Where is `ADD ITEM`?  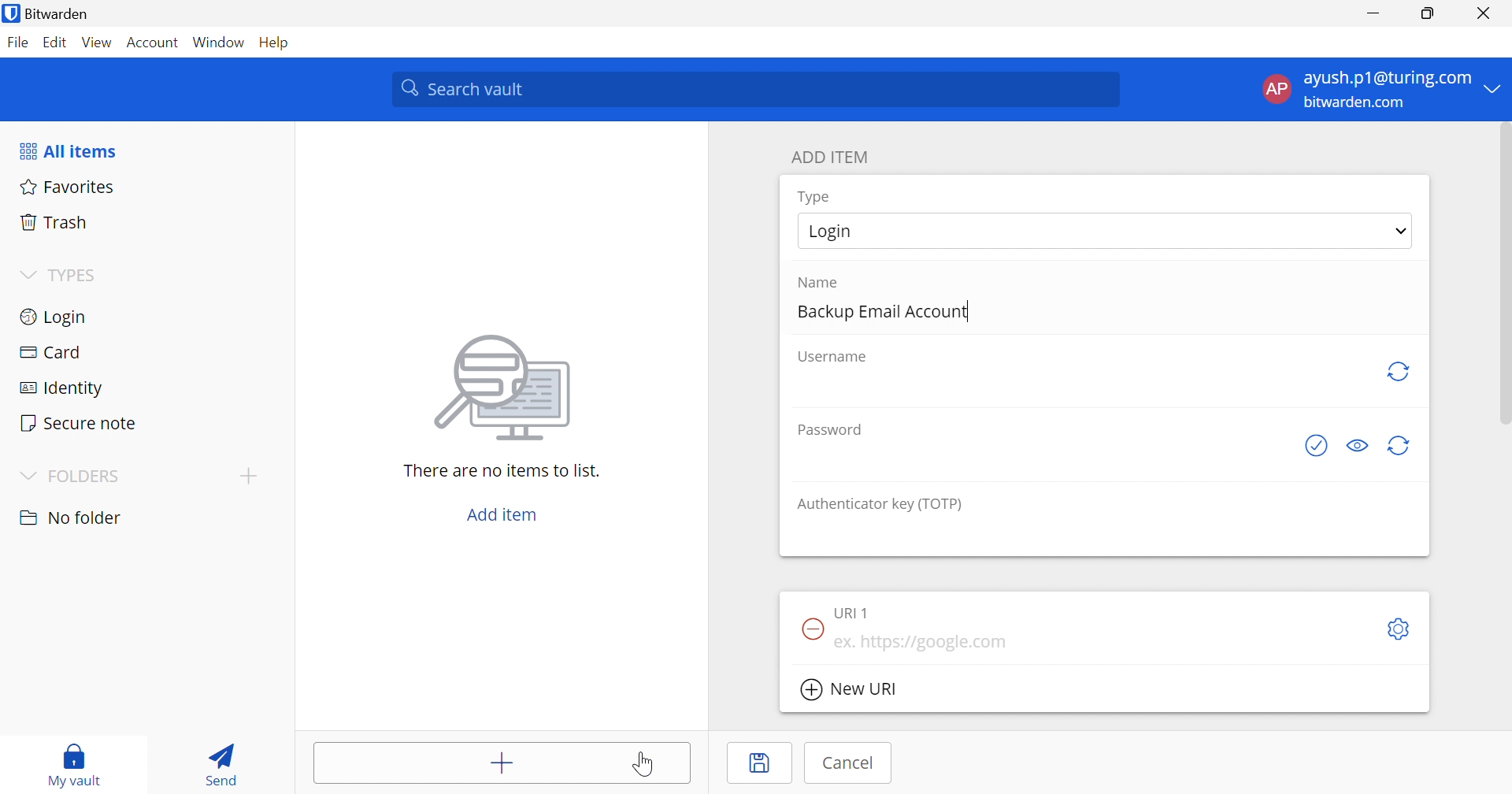
ADD ITEM is located at coordinates (830, 158).